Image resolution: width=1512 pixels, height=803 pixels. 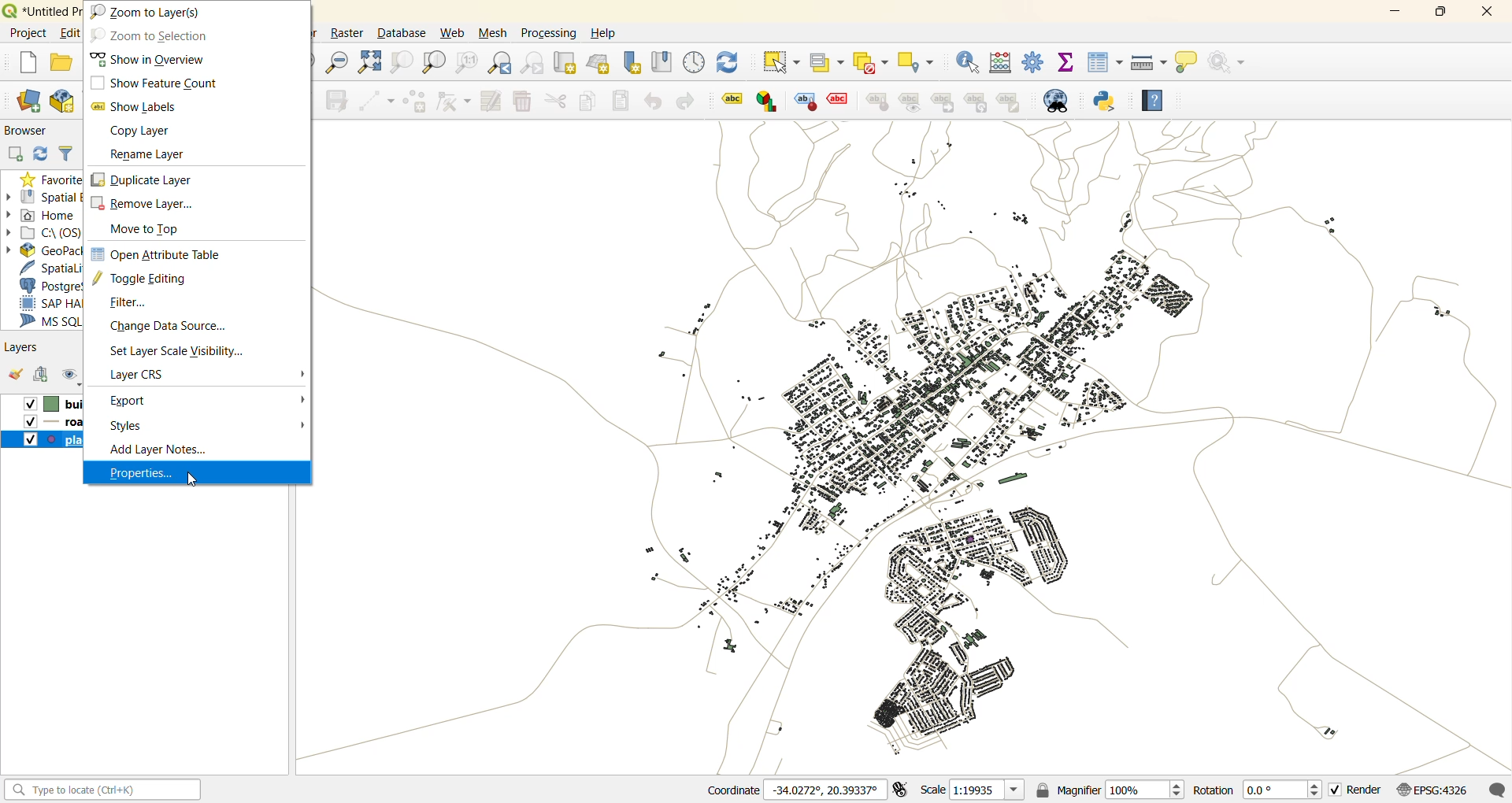 What do you see at coordinates (969, 61) in the screenshot?
I see `identify features` at bounding box center [969, 61].